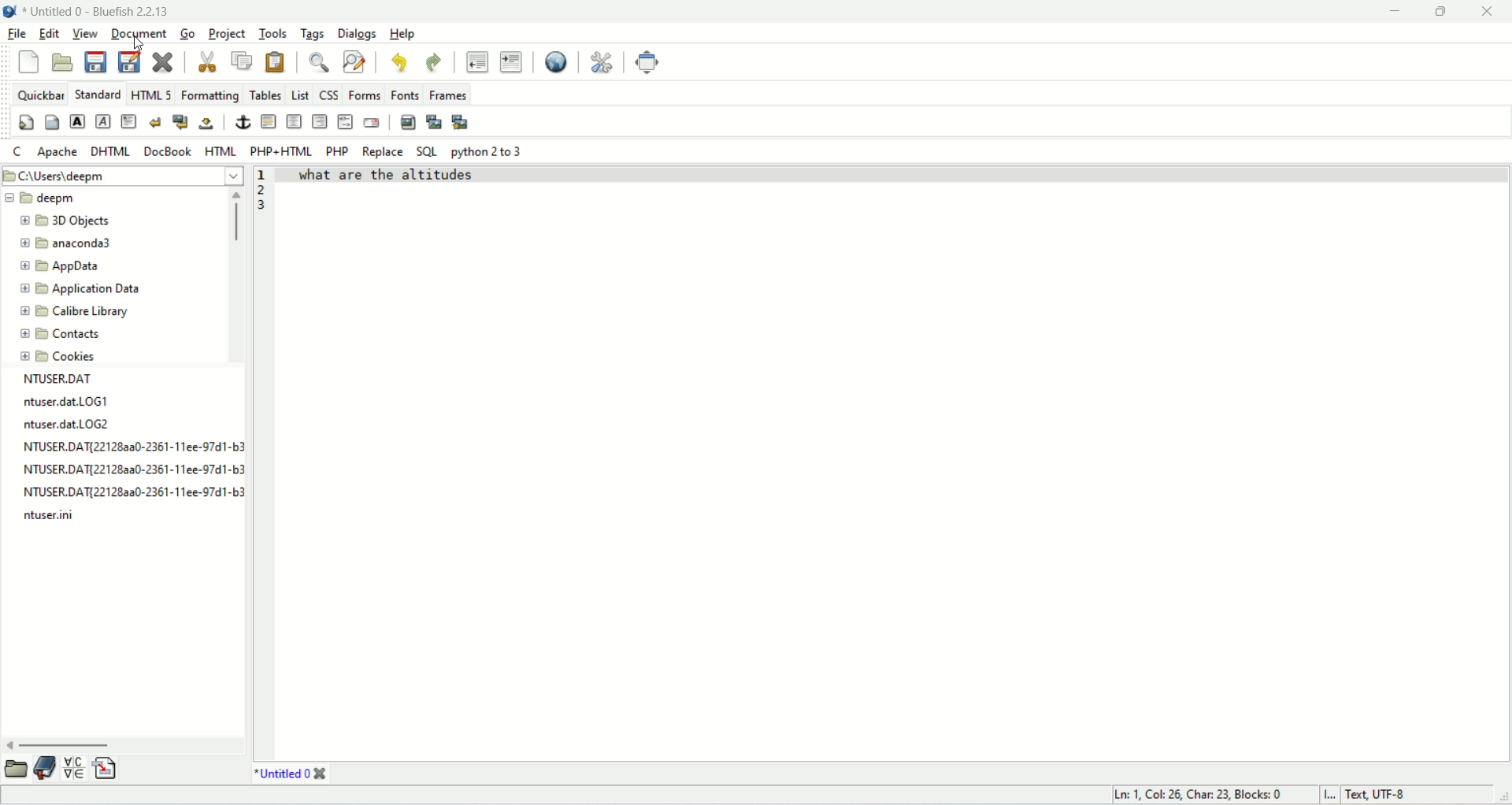  Describe the element at coordinates (233, 276) in the screenshot. I see `vertical scroll bar` at that location.